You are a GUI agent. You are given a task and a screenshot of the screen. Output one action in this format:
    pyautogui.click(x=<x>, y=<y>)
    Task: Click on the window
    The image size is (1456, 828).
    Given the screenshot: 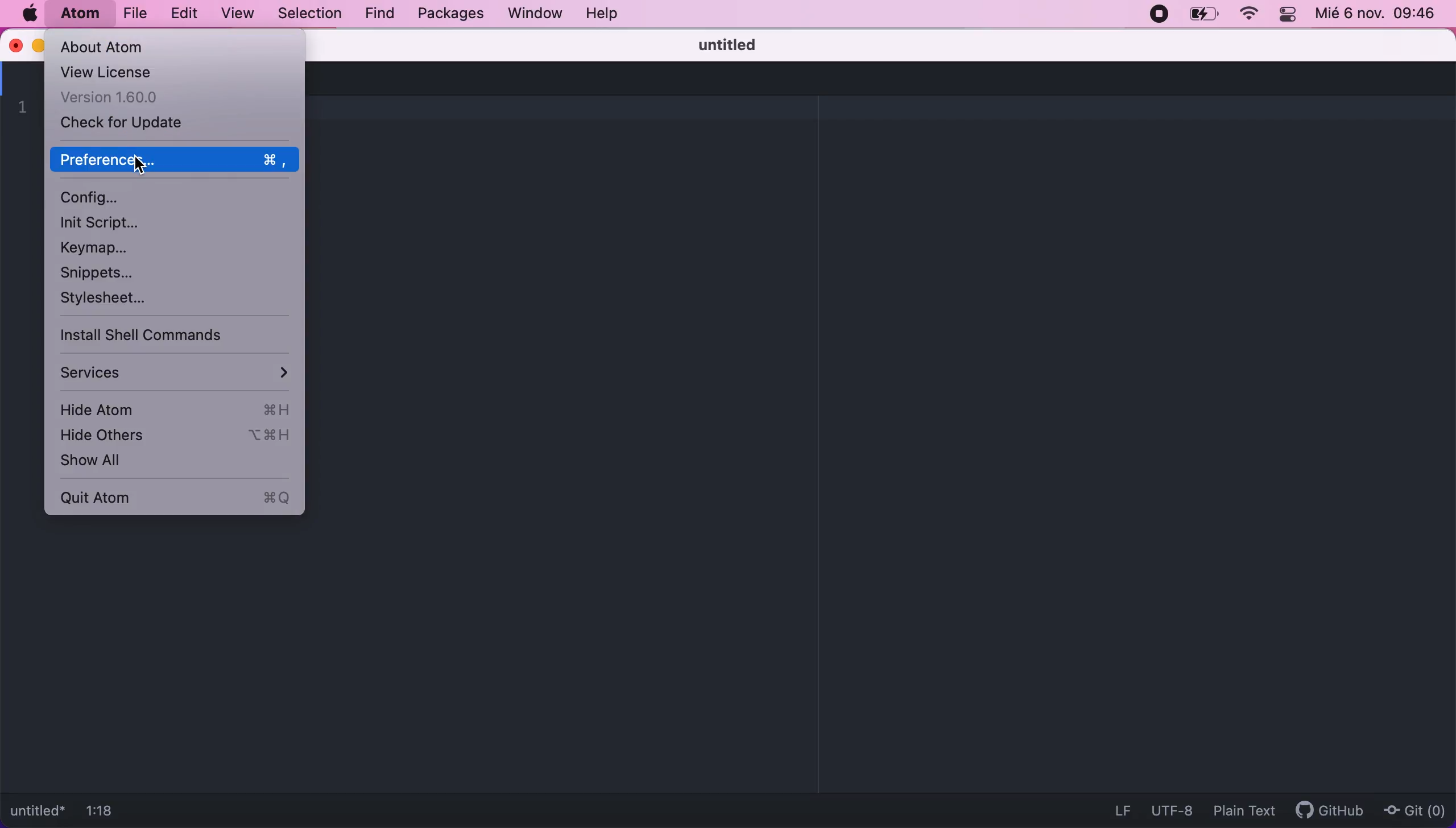 What is the action you would take?
    pyautogui.click(x=534, y=14)
    